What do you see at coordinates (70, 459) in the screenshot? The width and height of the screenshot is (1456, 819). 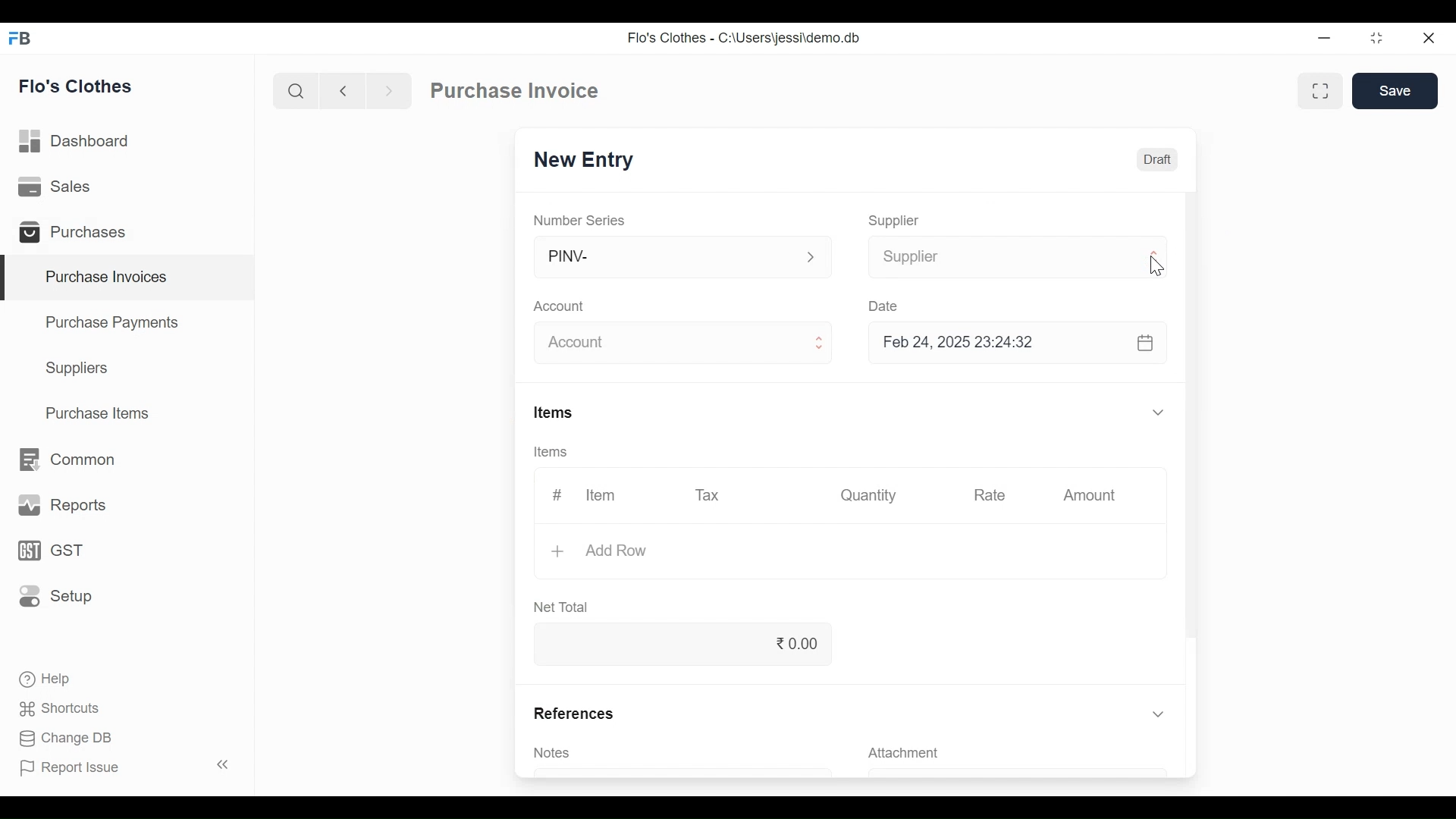 I see `Common` at bounding box center [70, 459].